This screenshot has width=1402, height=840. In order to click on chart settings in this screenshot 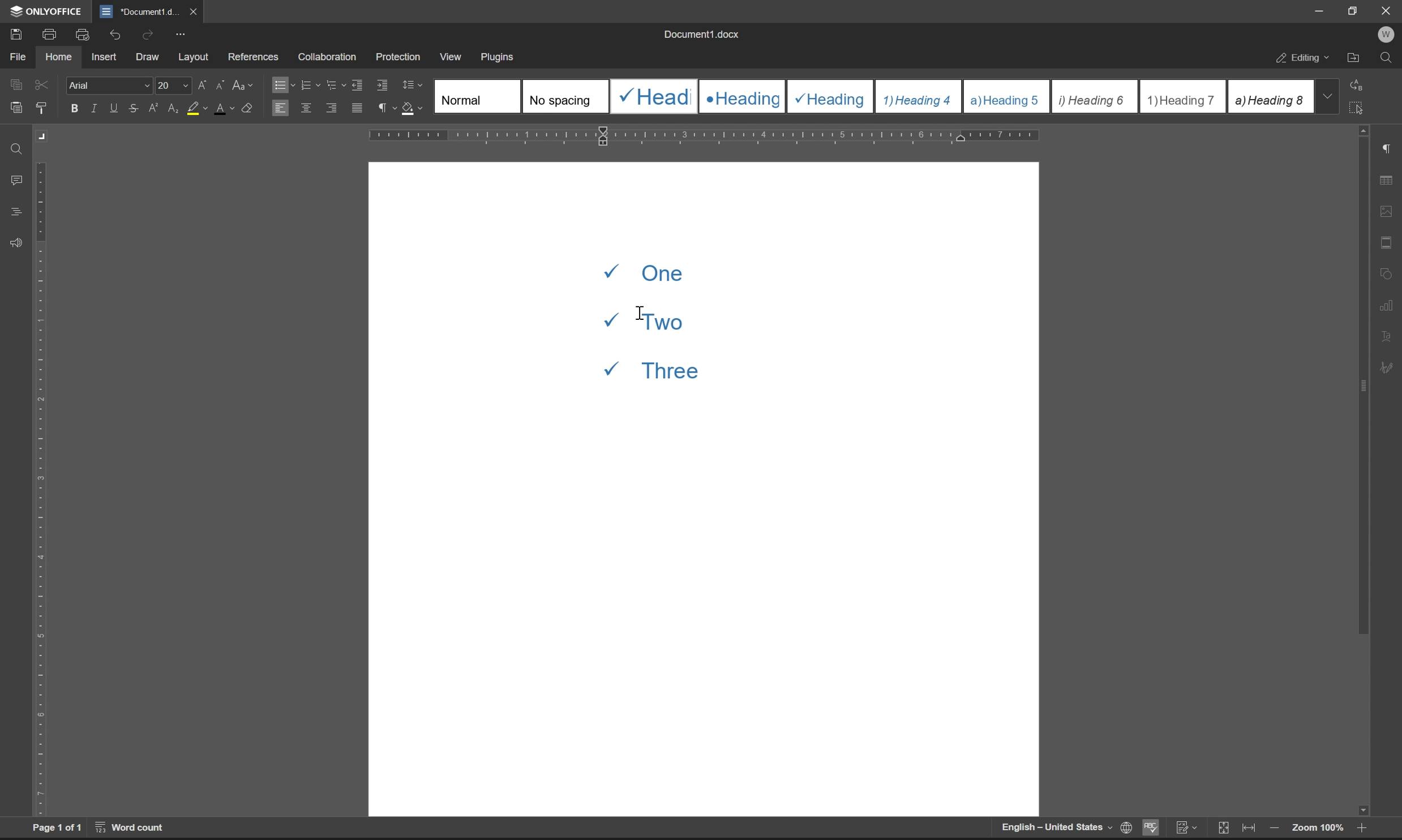, I will do `click(1387, 302)`.